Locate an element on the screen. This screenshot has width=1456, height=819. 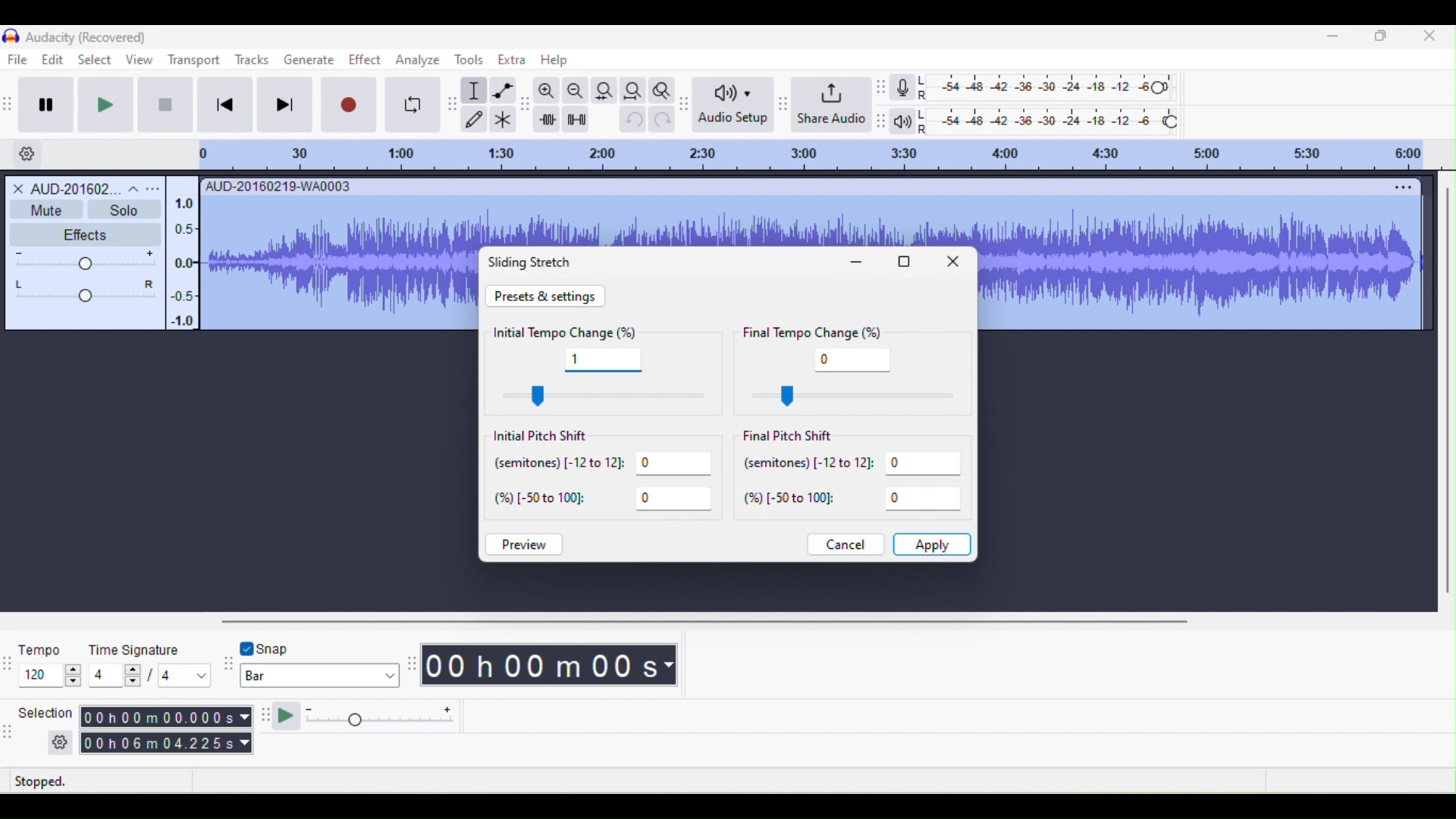
% is located at coordinates (608, 500).